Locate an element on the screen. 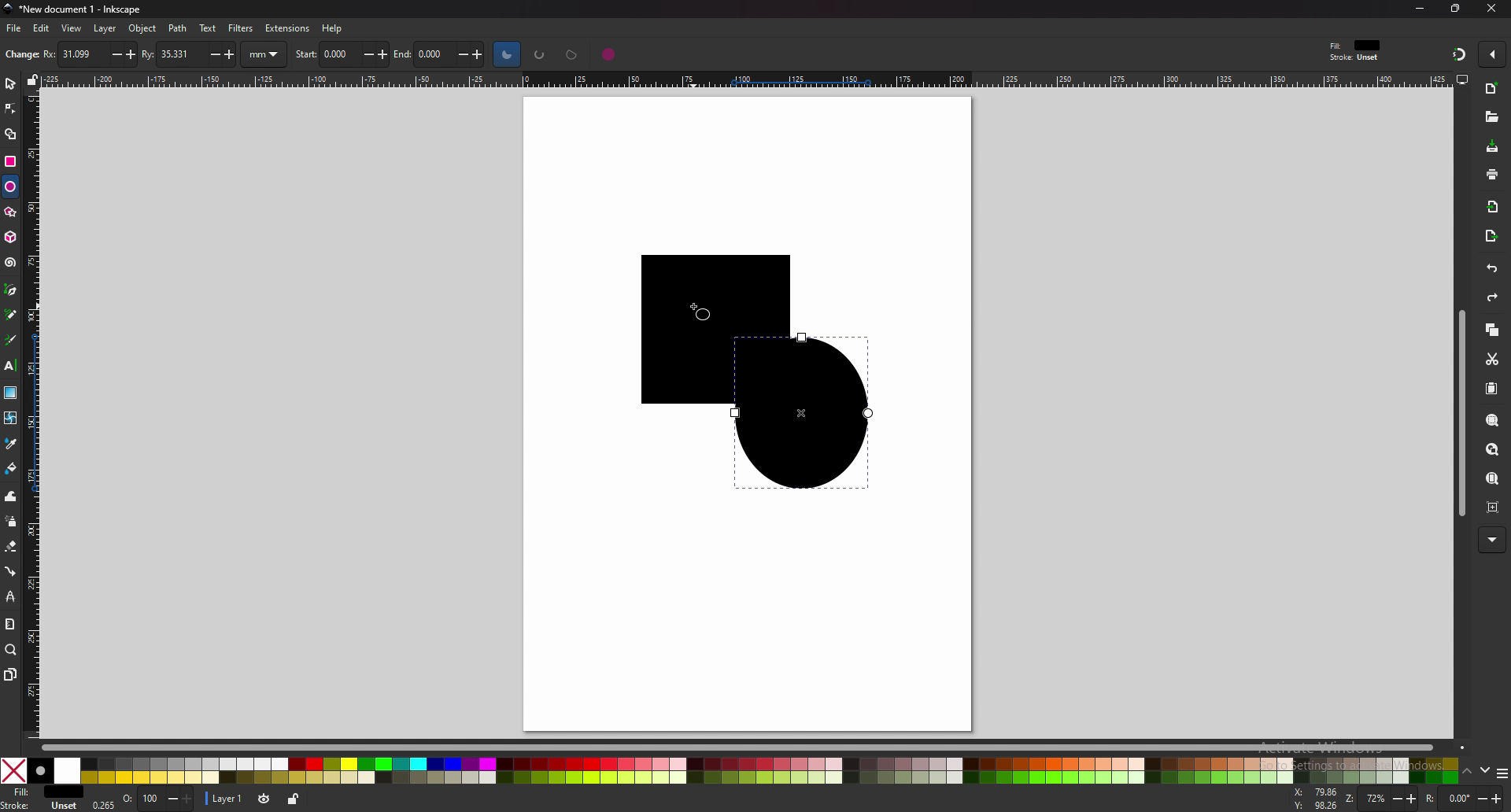  opacity is located at coordinates (160, 799).